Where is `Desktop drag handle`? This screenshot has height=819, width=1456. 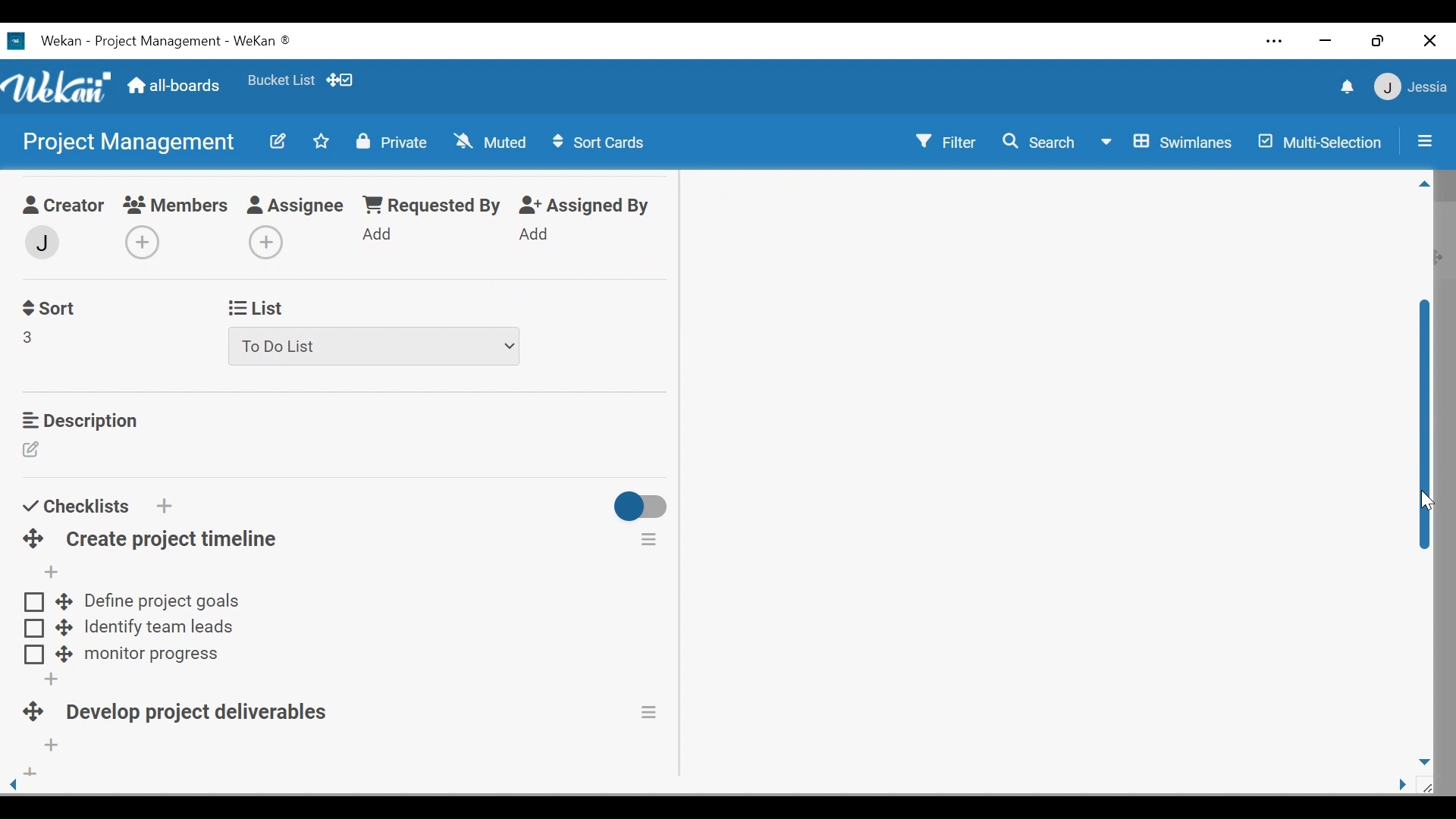 Desktop drag handle is located at coordinates (64, 626).